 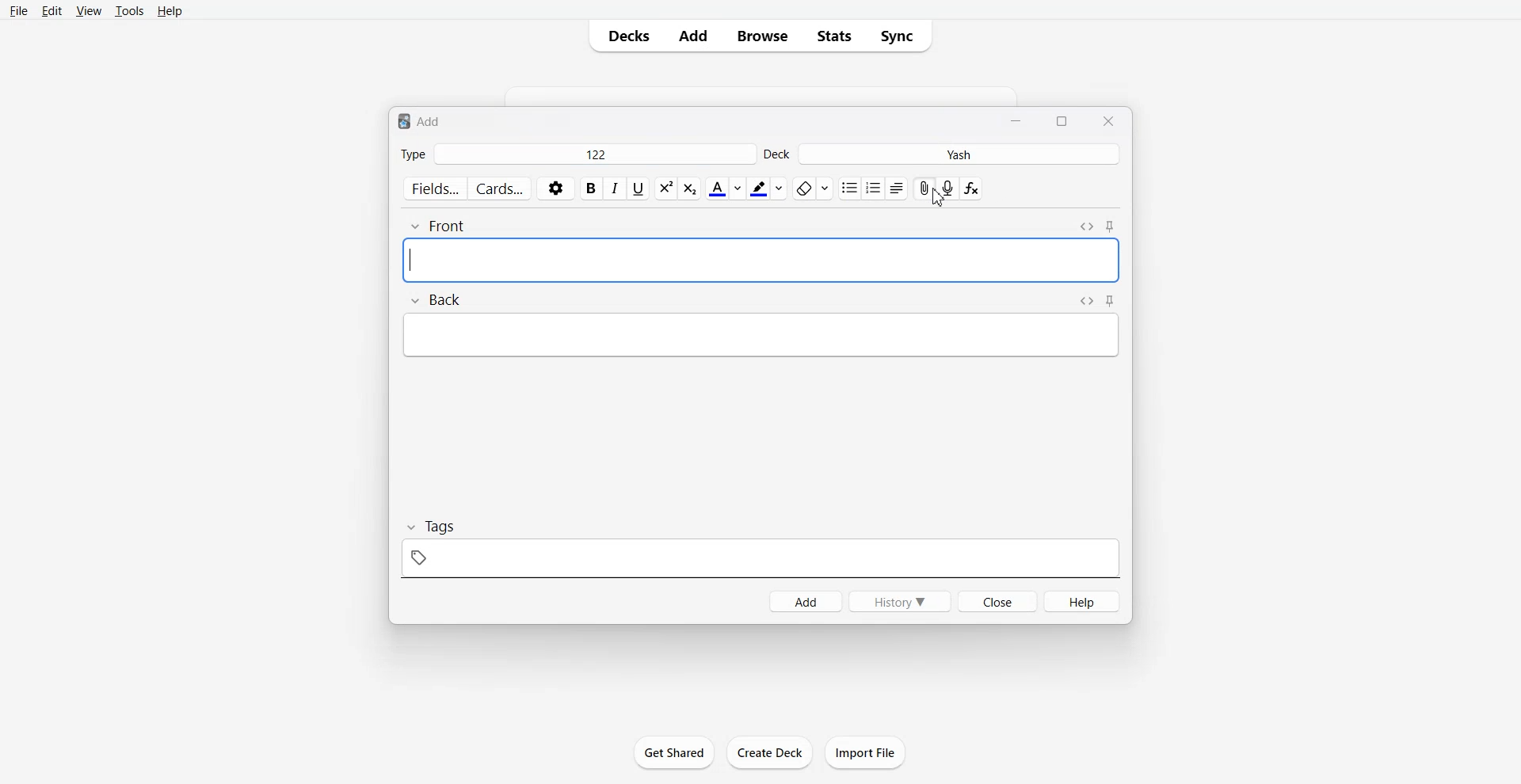 I want to click on Help, so click(x=1085, y=602).